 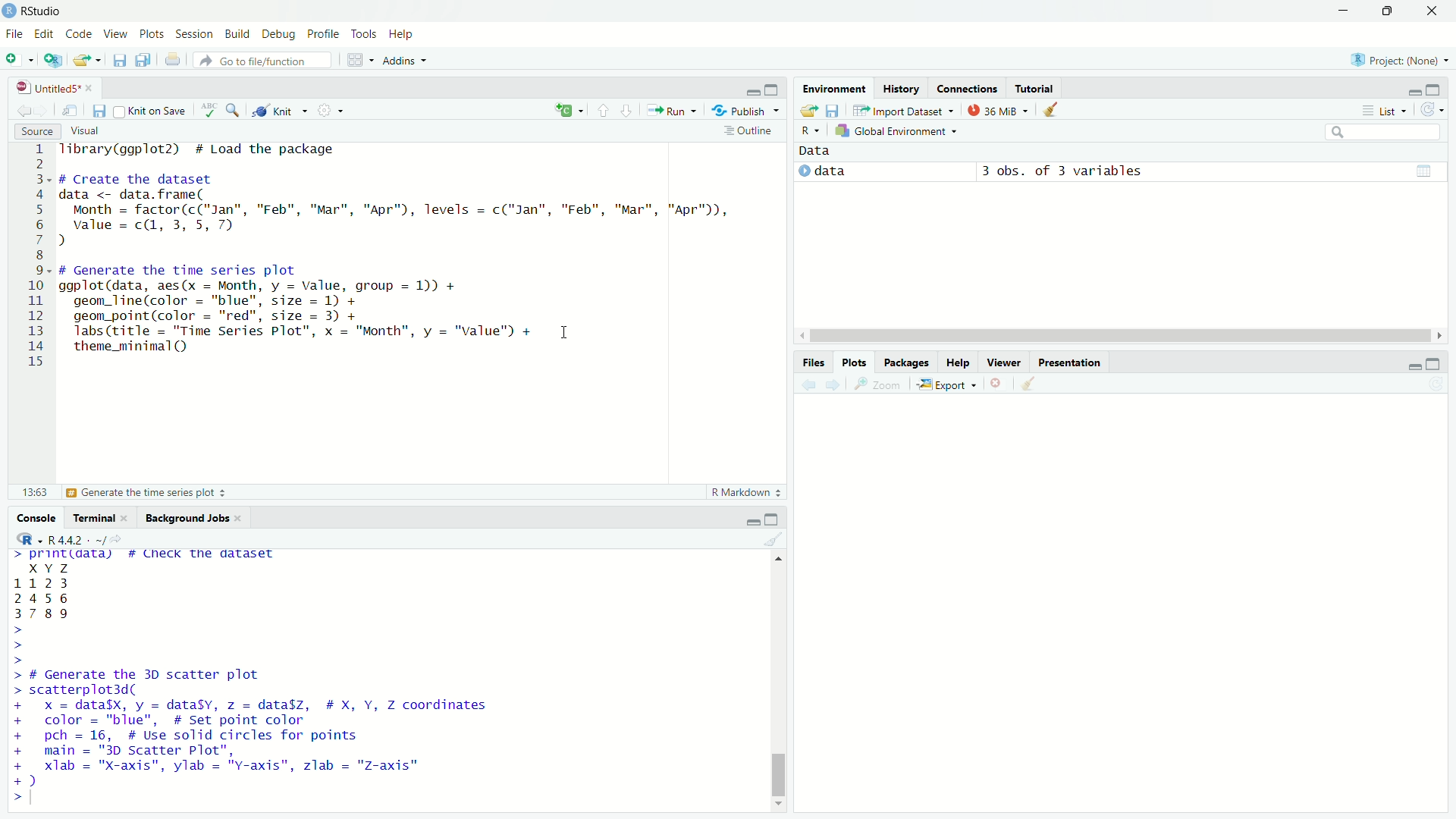 What do you see at coordinates (570, 111) in the screenshot?
I see `insert a chunk of code` at bounding box center [570, 111].